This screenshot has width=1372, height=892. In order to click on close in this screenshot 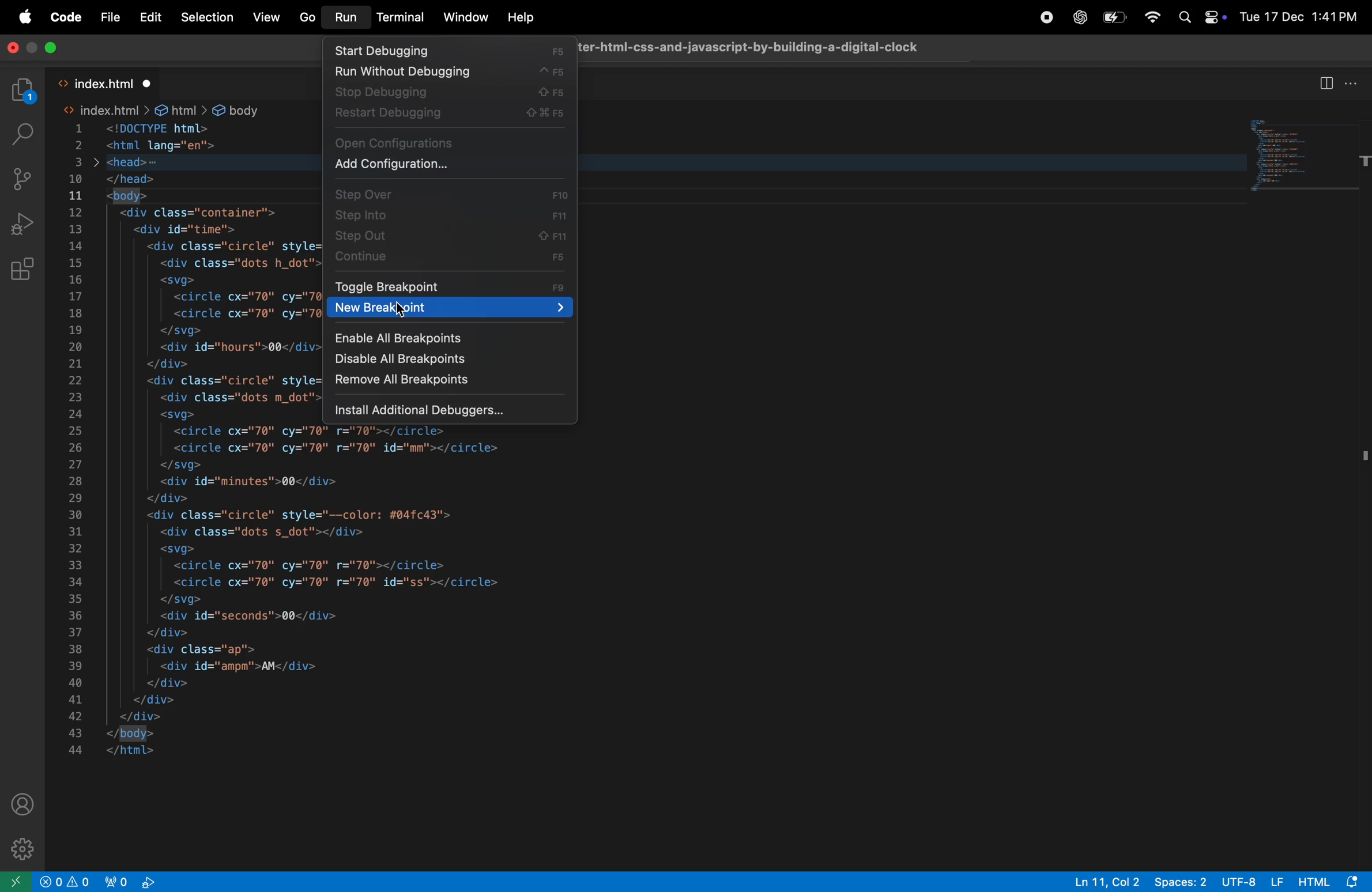, I will do `click(10, 51)`.